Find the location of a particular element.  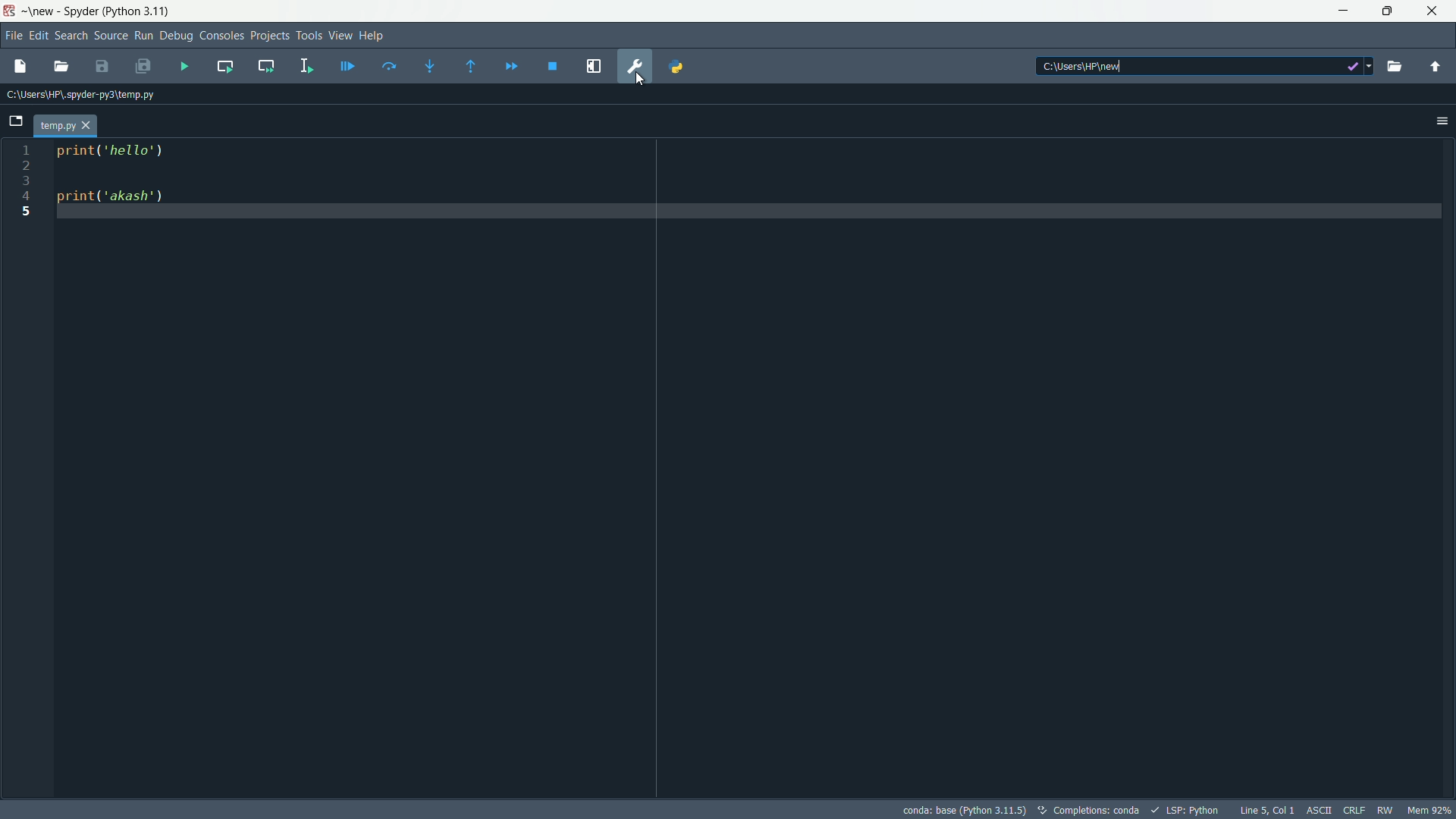

parent directory is located at coordinates (1434, 67).